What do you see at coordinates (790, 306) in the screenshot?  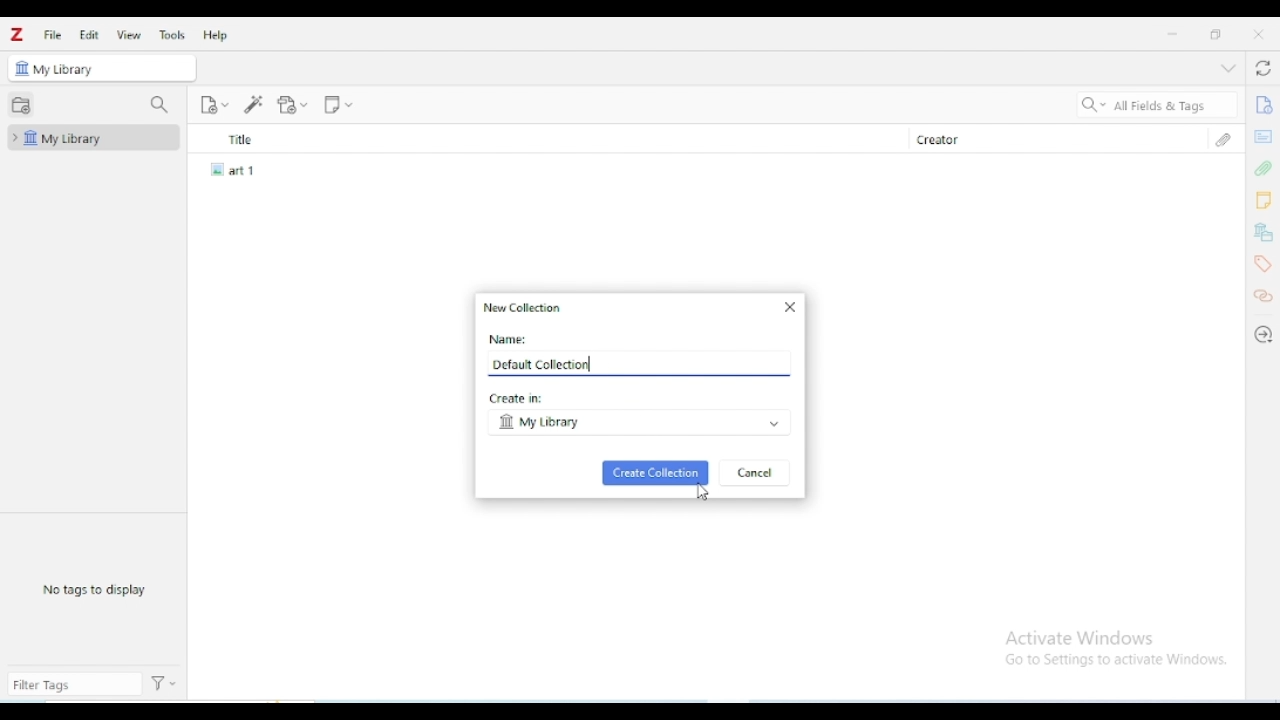 I see `close` at bounding box center [790, 306].